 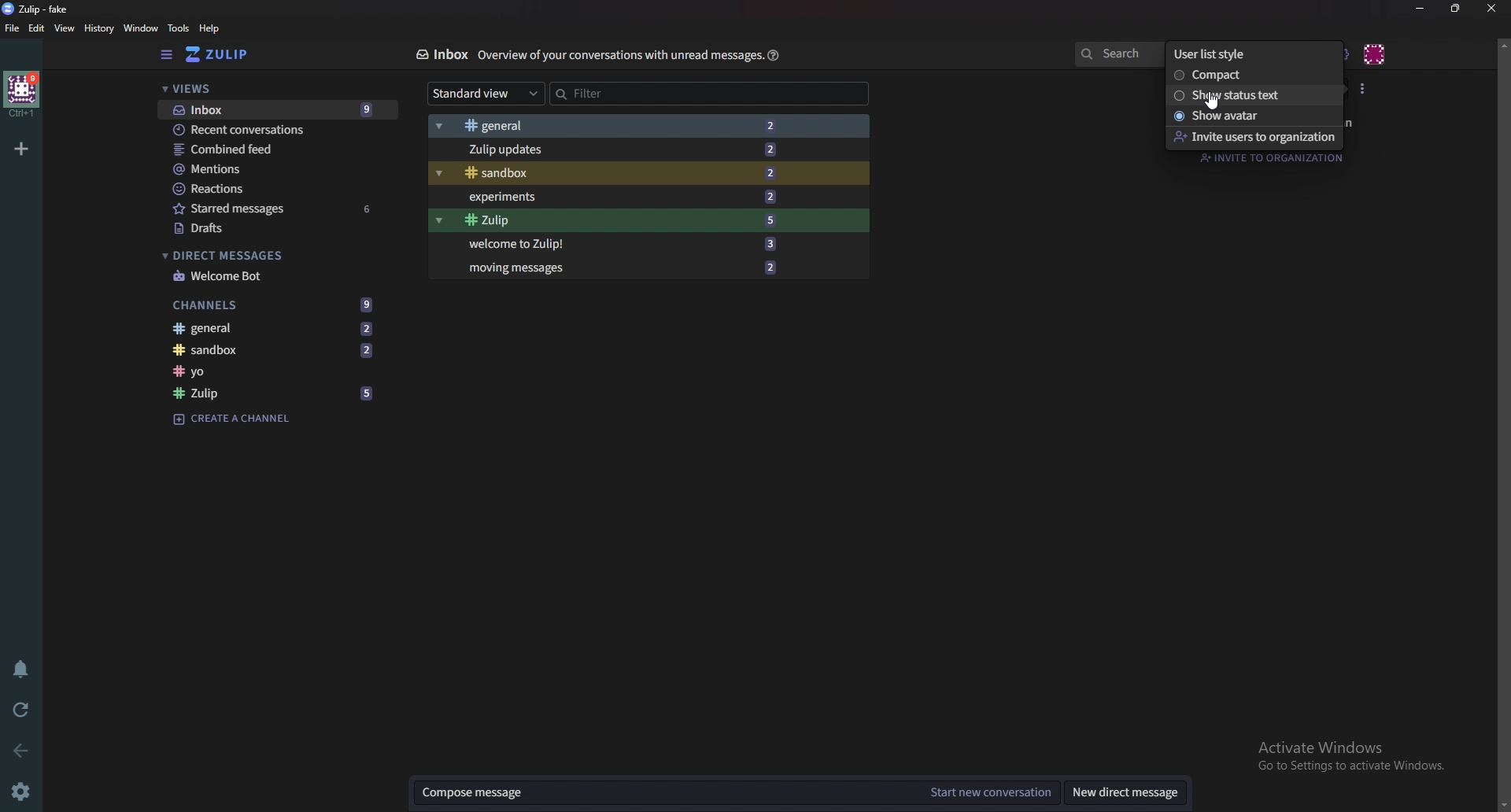 I want to click on Drafts, so click(x=280, y=227).